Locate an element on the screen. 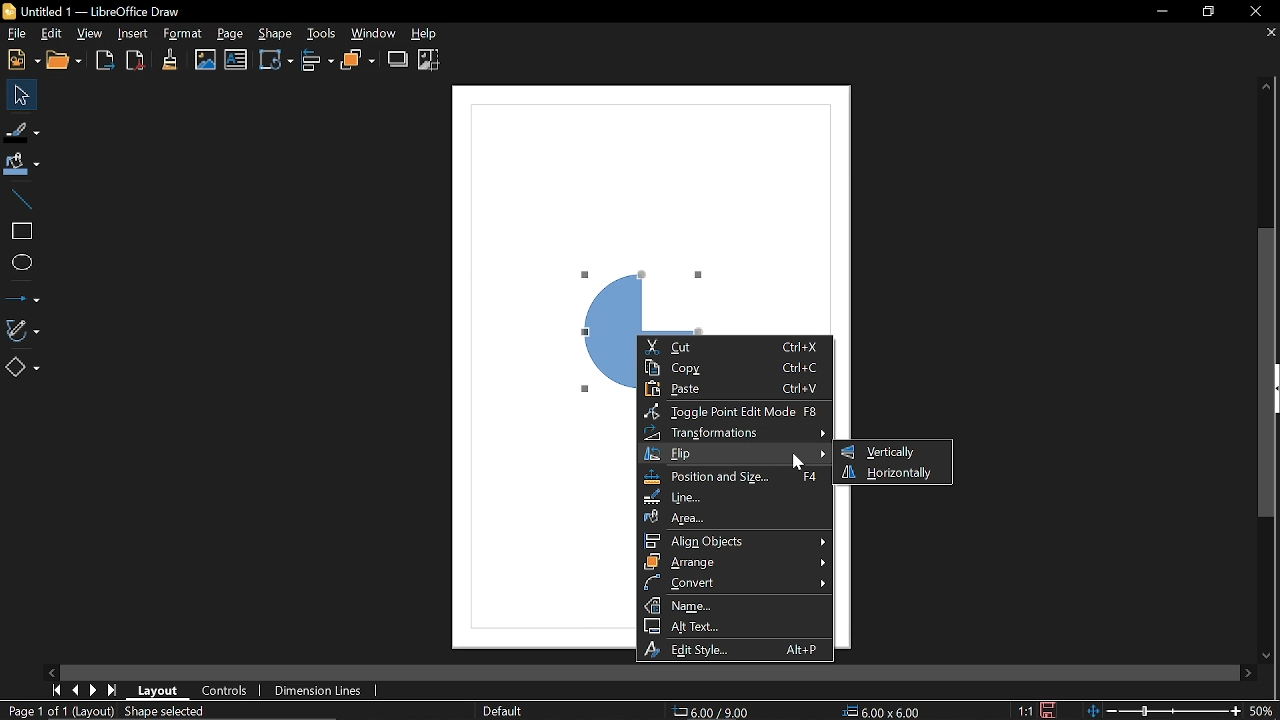  Select is located at coordinates (18, 93).